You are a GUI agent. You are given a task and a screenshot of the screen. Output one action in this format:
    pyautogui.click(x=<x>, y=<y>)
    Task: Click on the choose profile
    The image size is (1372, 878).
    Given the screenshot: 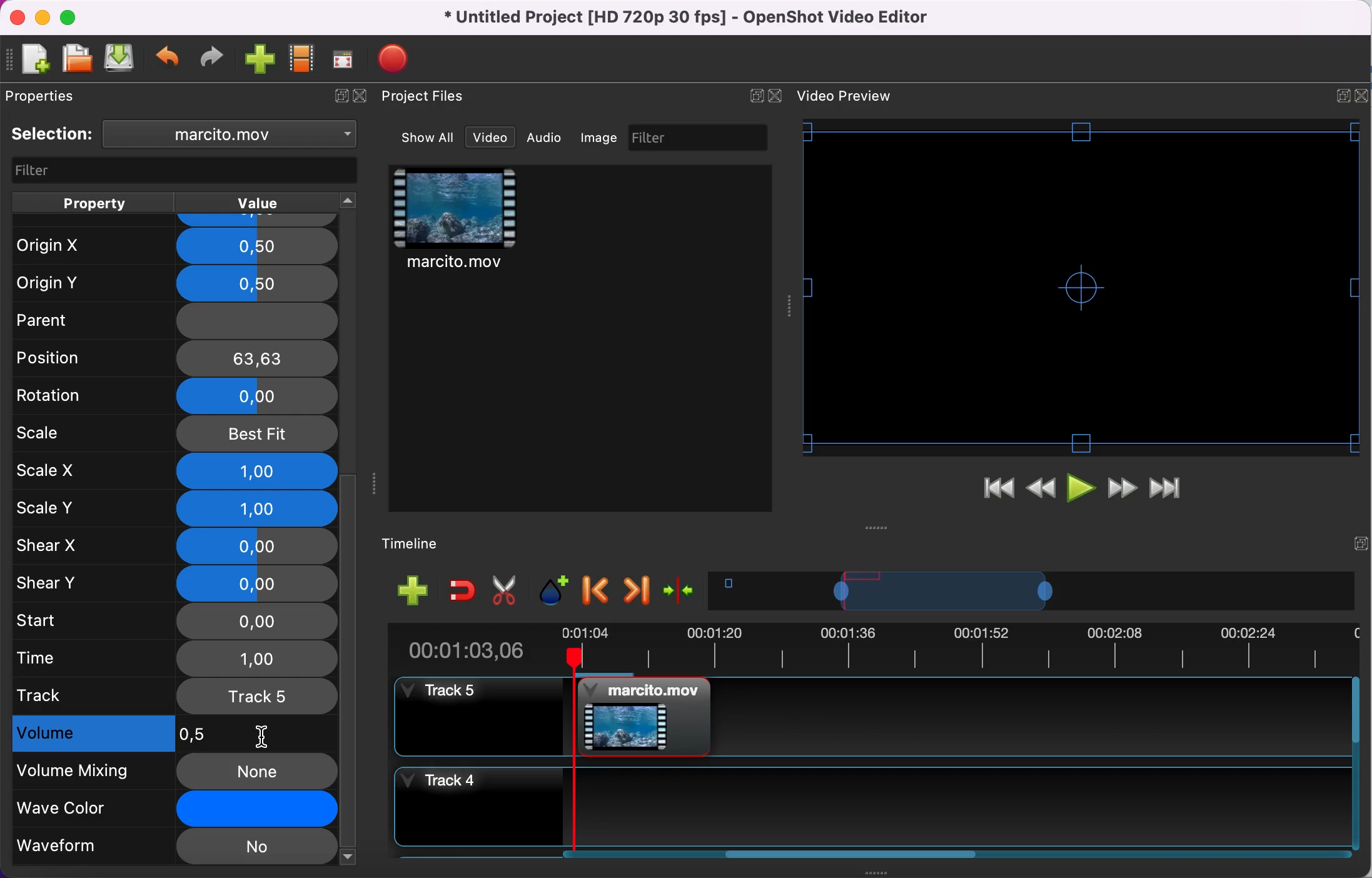 What is the action you would take?
    pyautogui.click(x=303, y=59)
    